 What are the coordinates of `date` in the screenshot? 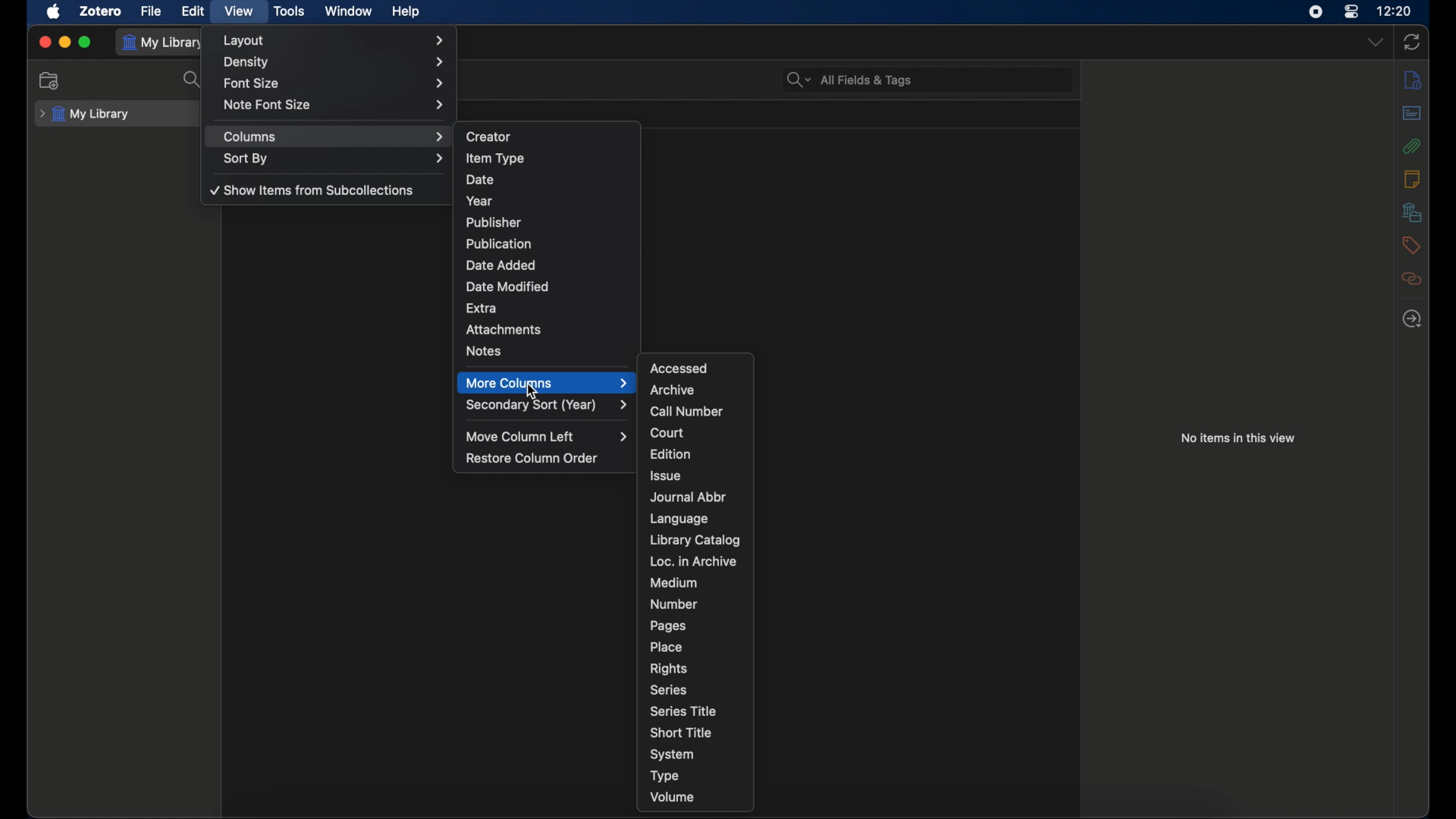 It's located at (482, 180).